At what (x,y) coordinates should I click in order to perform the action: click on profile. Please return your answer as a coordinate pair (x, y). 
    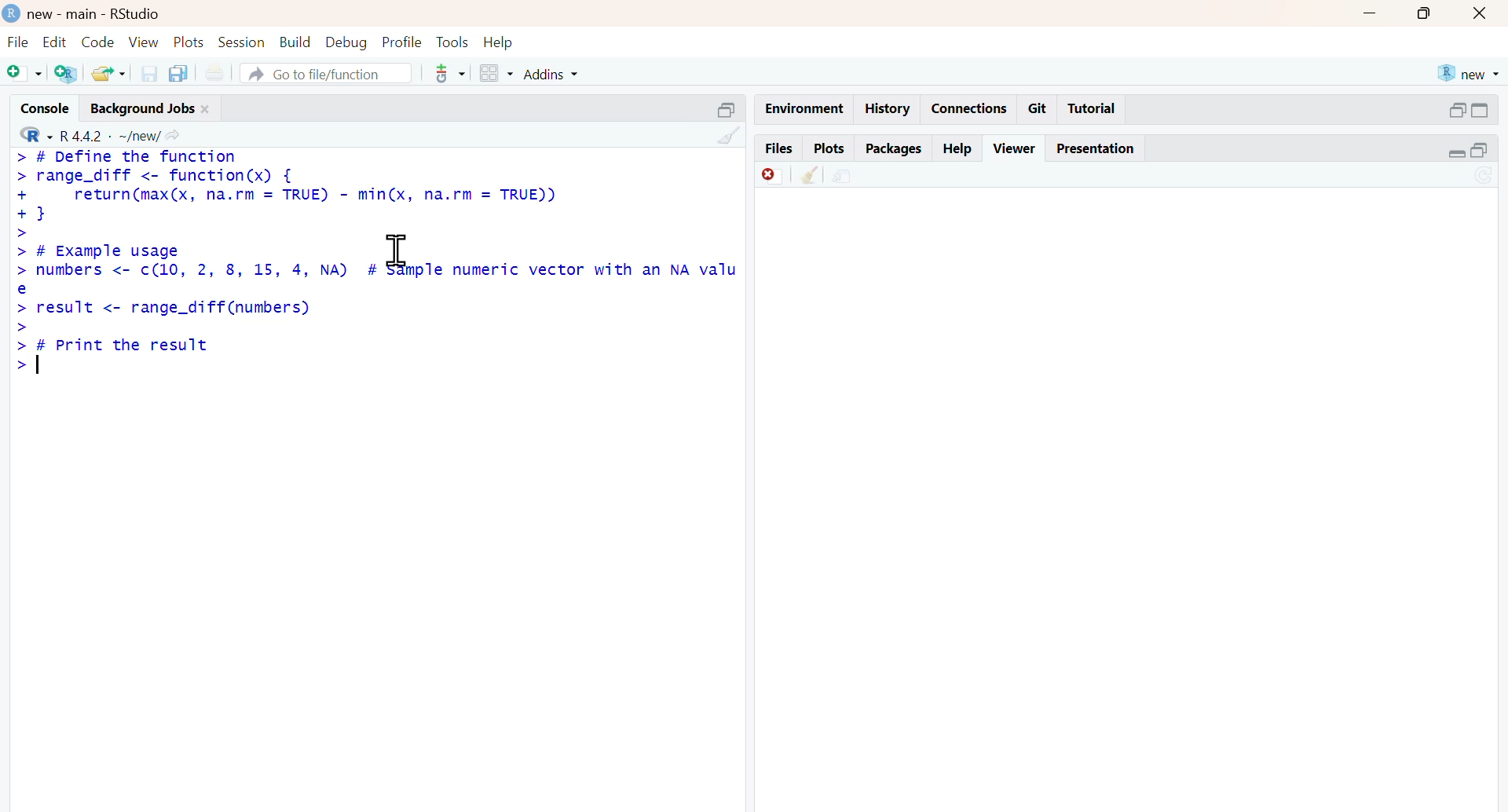
    Looking at the image, I should click on (403, 43).